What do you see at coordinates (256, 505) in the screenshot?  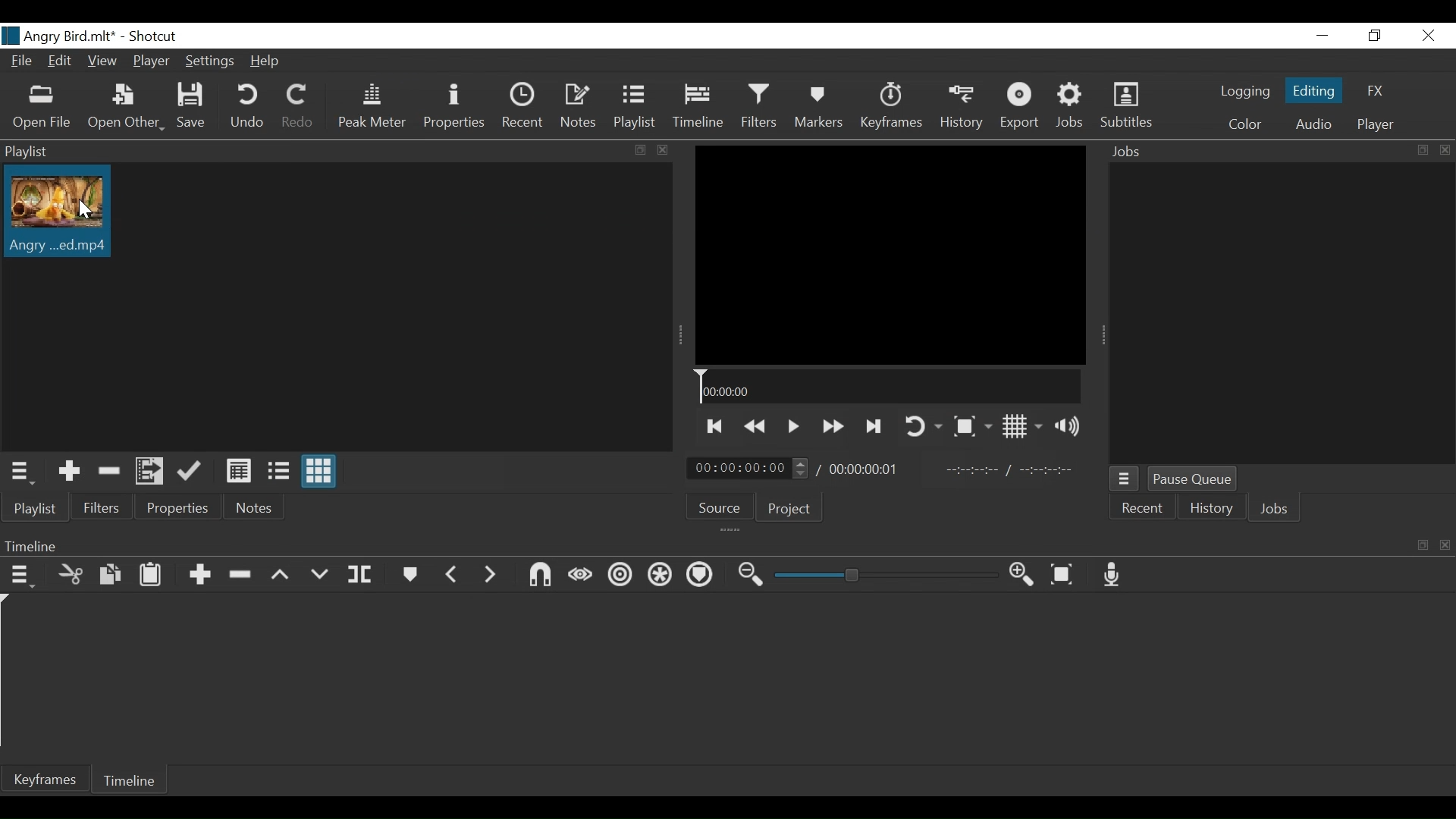 I see `Notes` at bounding box center [256, 505].